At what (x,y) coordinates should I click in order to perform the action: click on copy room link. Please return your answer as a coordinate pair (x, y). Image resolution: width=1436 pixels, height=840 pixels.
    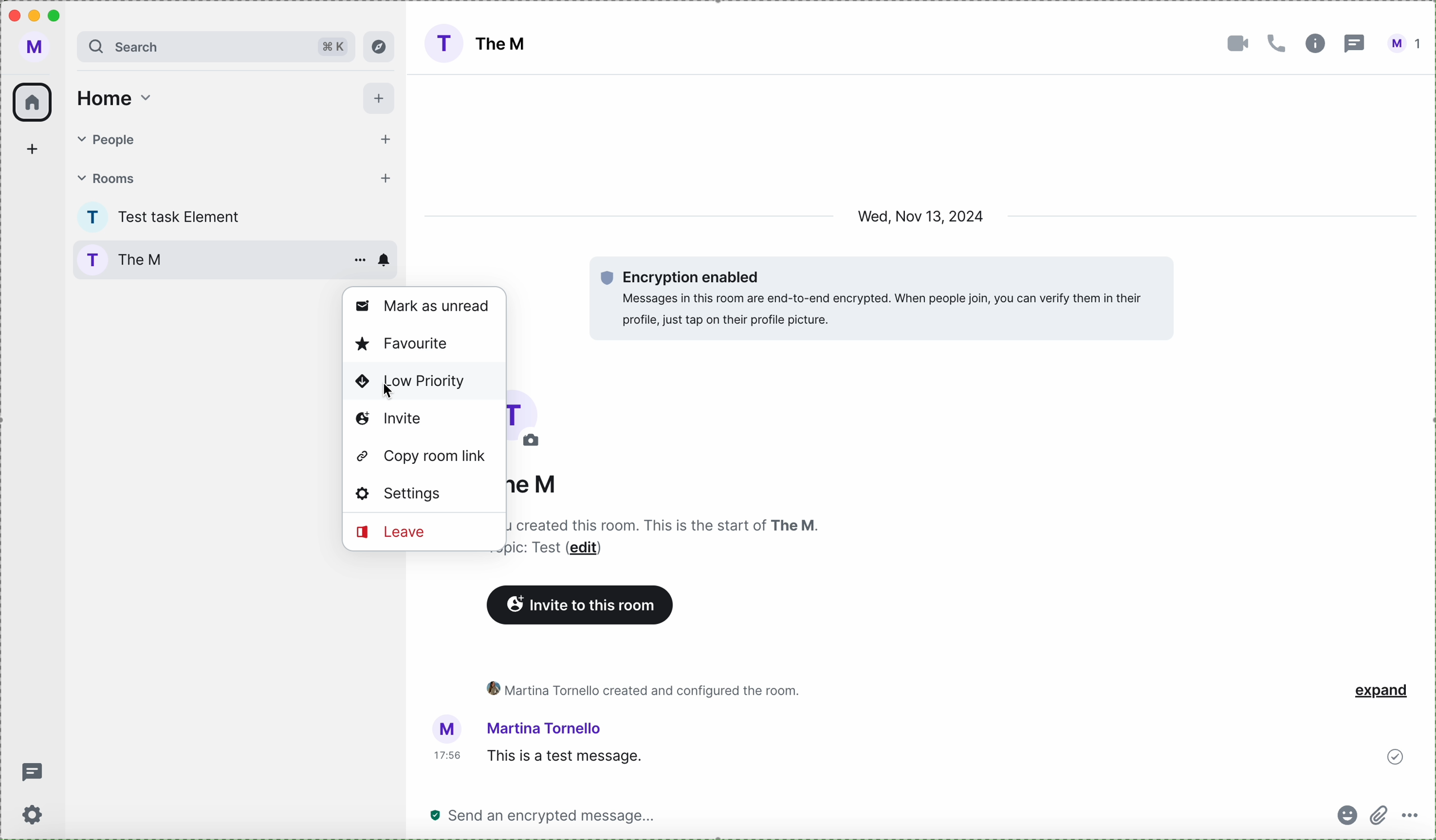
    Looking at the image, I should click on (423, 456).